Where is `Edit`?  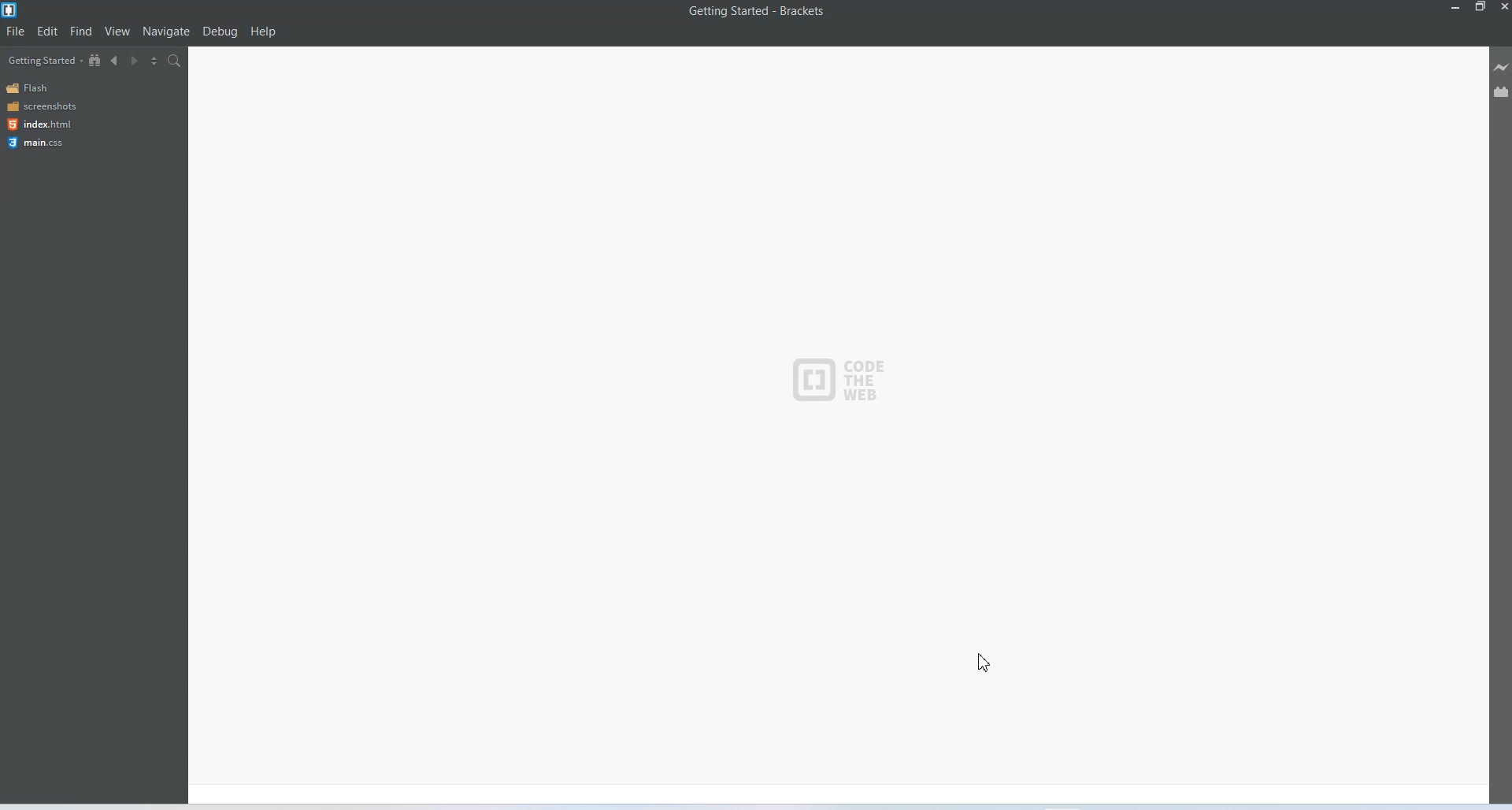 Edit is located at coordinates (49, 32).